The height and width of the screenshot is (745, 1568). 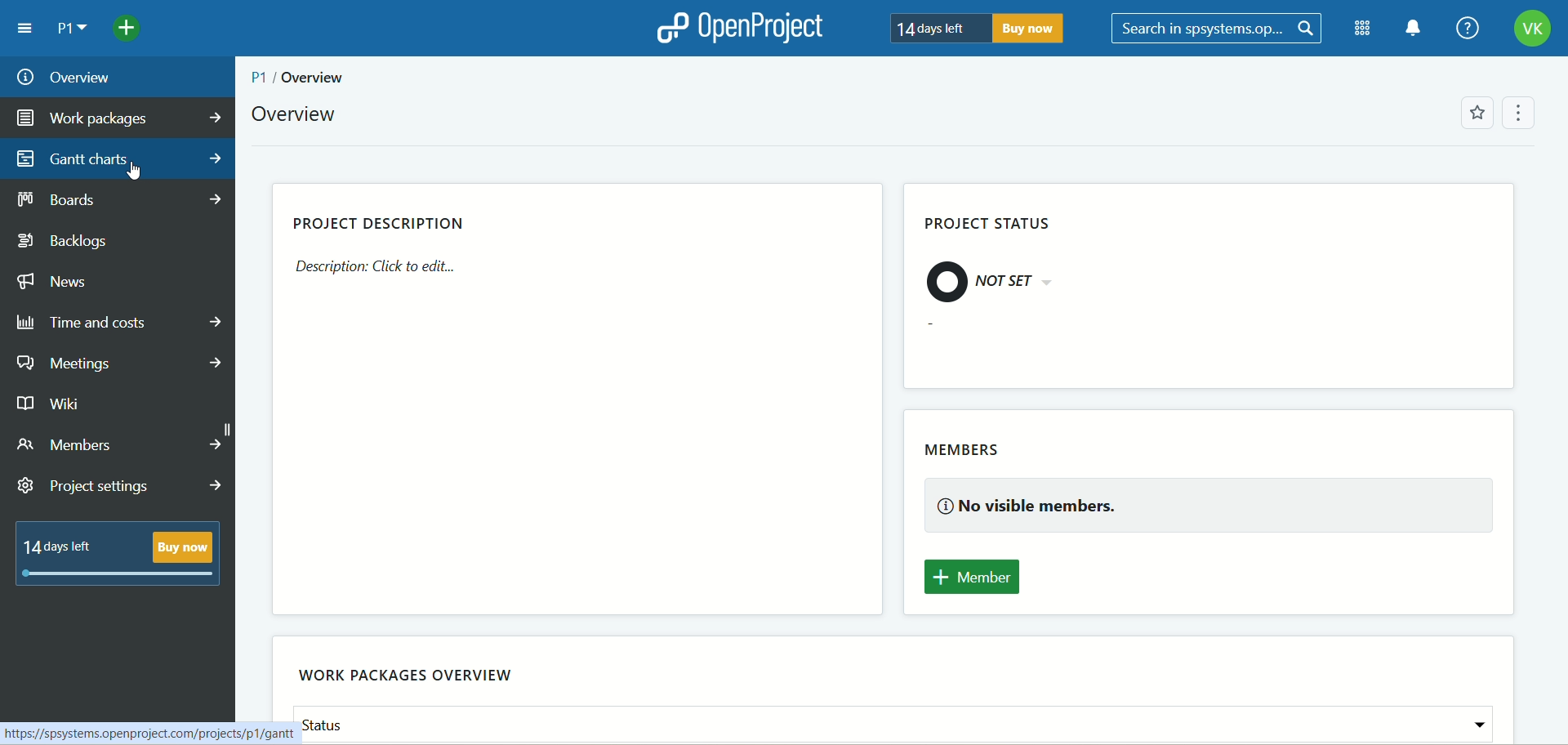 What do you see at coordinates (52, 405) in the screenshot?
I see `wiki` at bounding box center [52, 405].